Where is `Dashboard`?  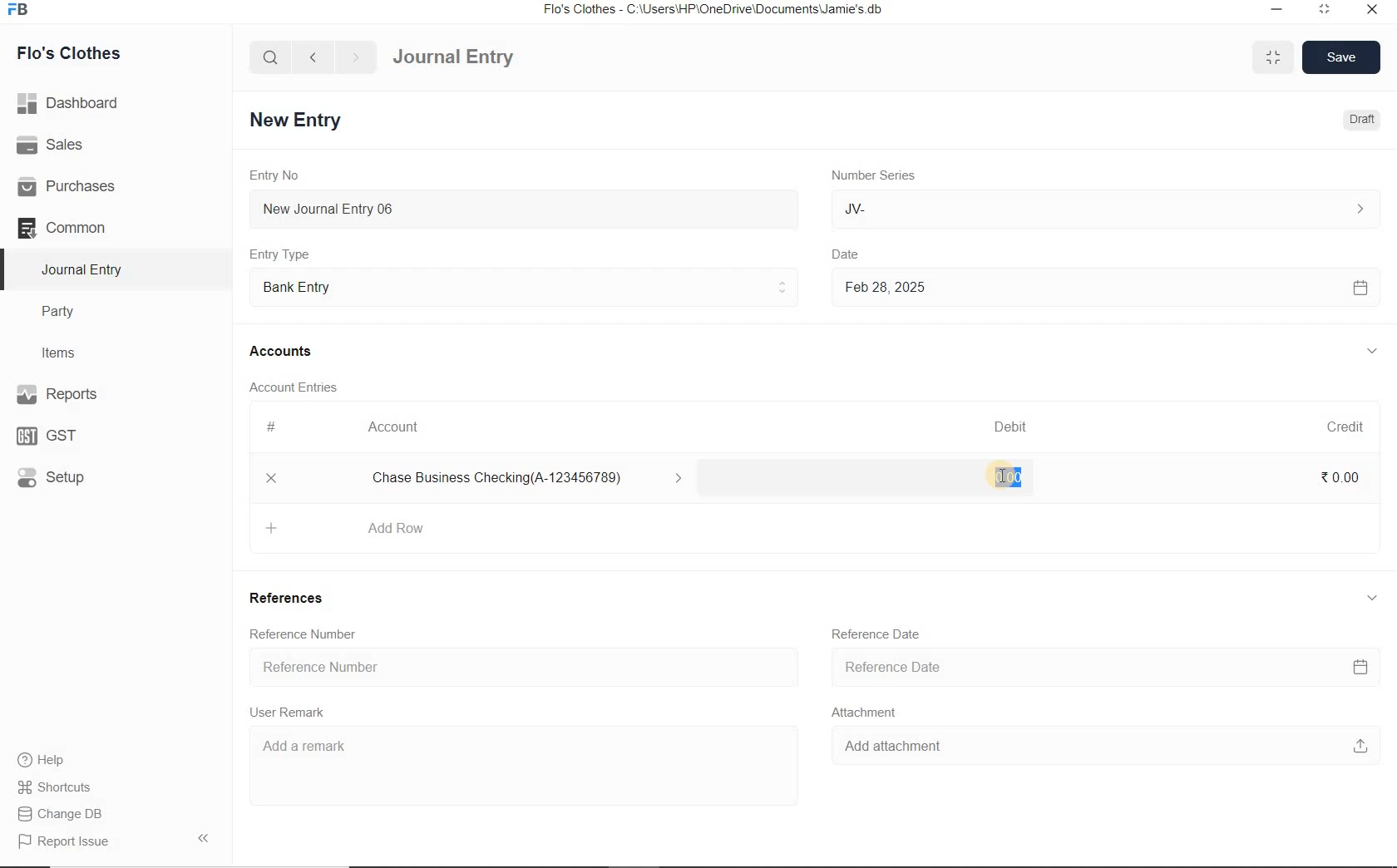
Dashboard is located at coordinates (74, 101).